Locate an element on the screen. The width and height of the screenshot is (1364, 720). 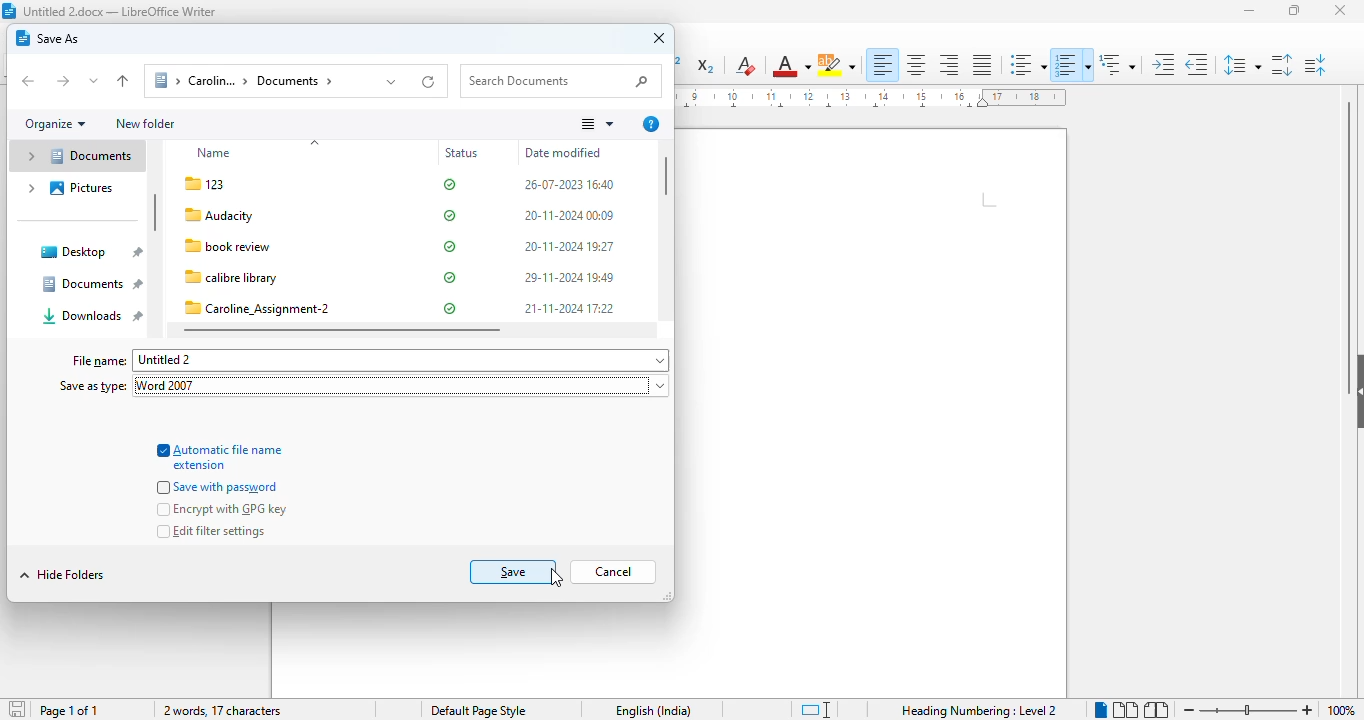
save is located at coordinates (16, 709).